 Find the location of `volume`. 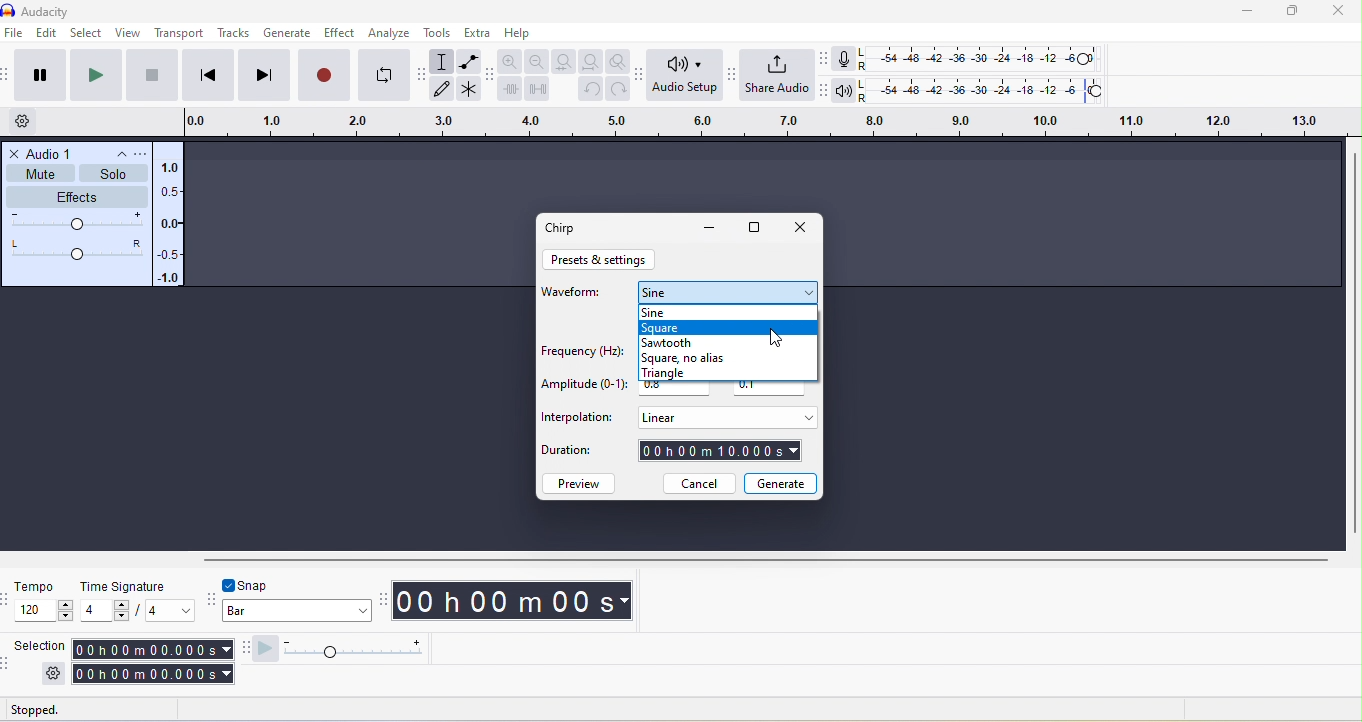

volume is located at coordinates (77, 223).